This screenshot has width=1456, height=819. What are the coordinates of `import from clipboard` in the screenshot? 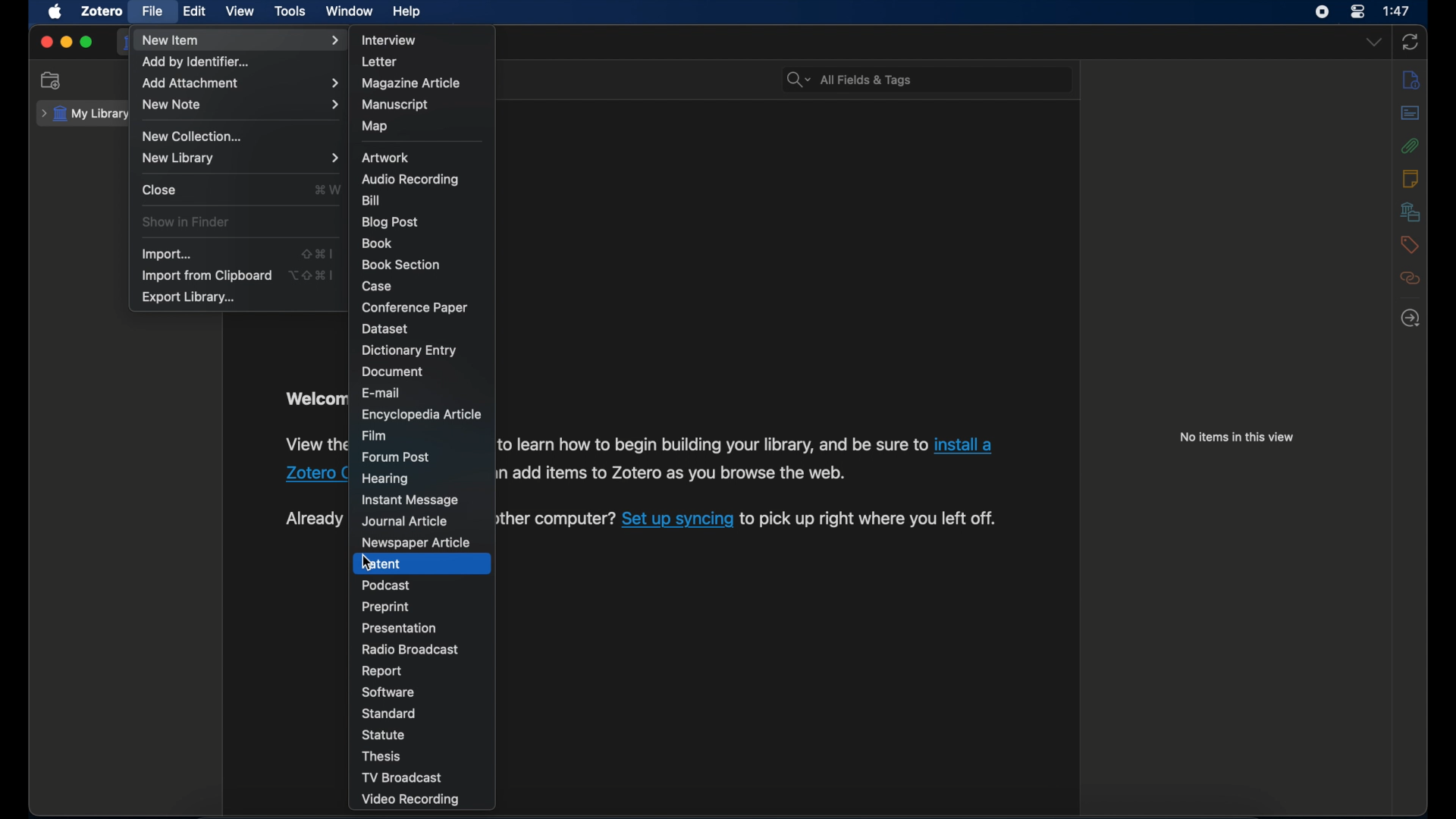 It's located at (206, 276).